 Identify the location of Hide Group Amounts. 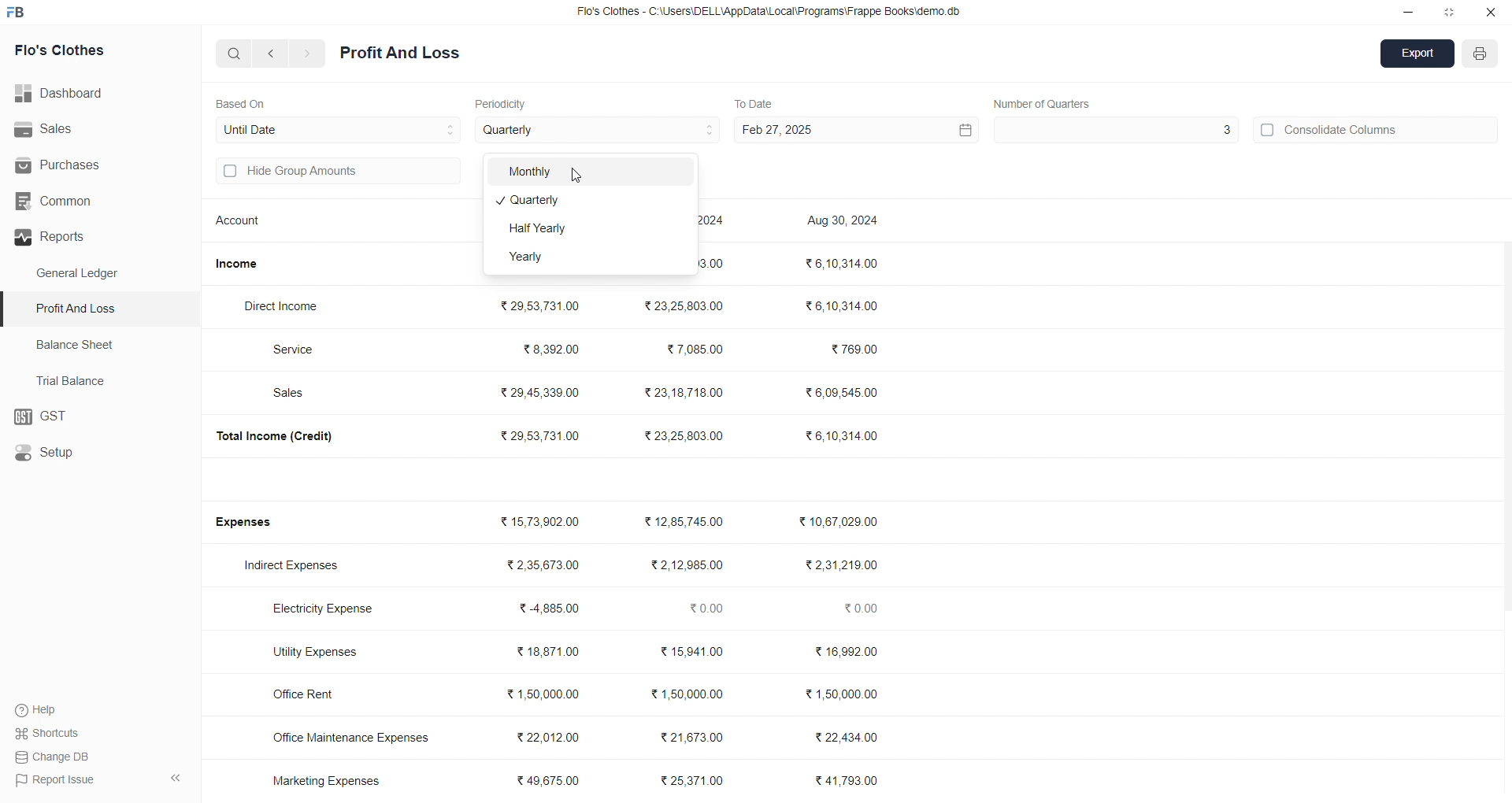
(335, 172).